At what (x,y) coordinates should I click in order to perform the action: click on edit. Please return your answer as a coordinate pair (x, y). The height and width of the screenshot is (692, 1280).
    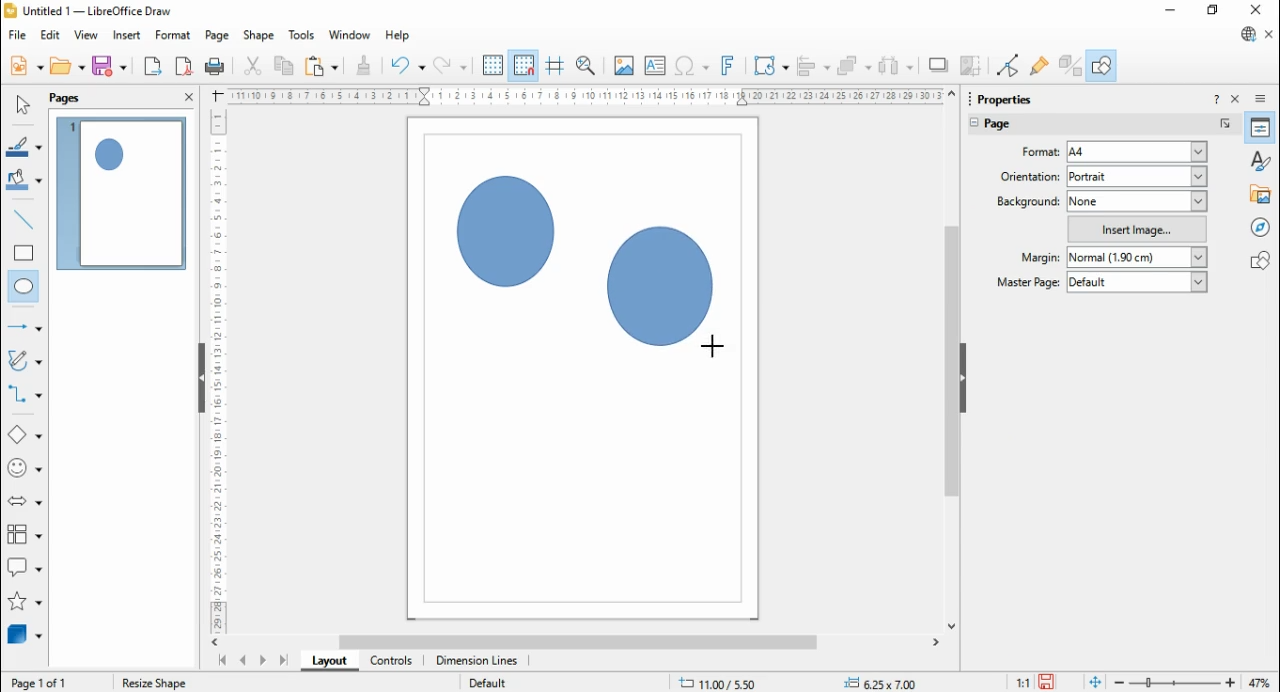
    Looking at the image, I should click on (50, 35).